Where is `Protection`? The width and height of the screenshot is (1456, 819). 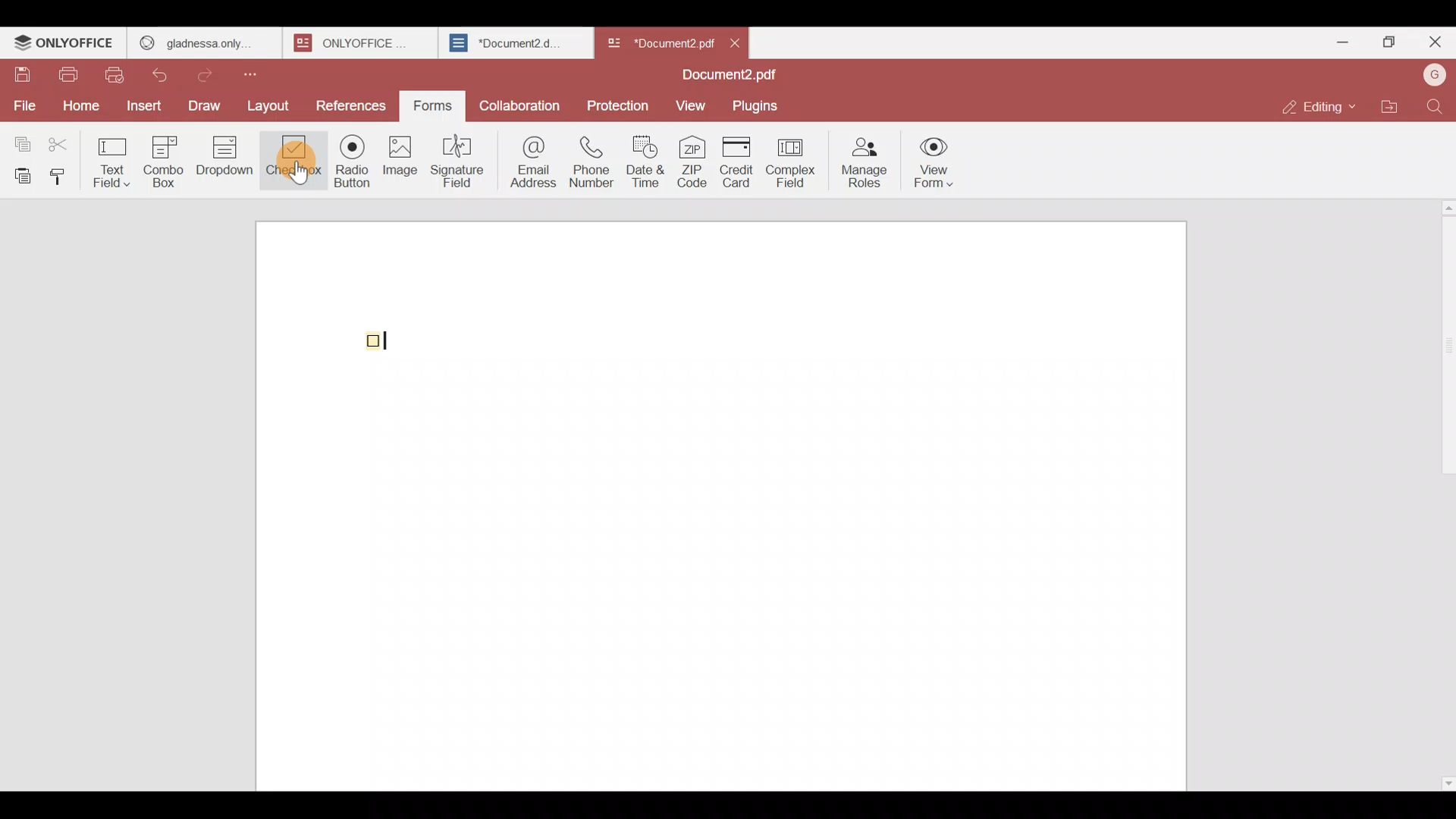
Protection is located at coordinates (619, 105).